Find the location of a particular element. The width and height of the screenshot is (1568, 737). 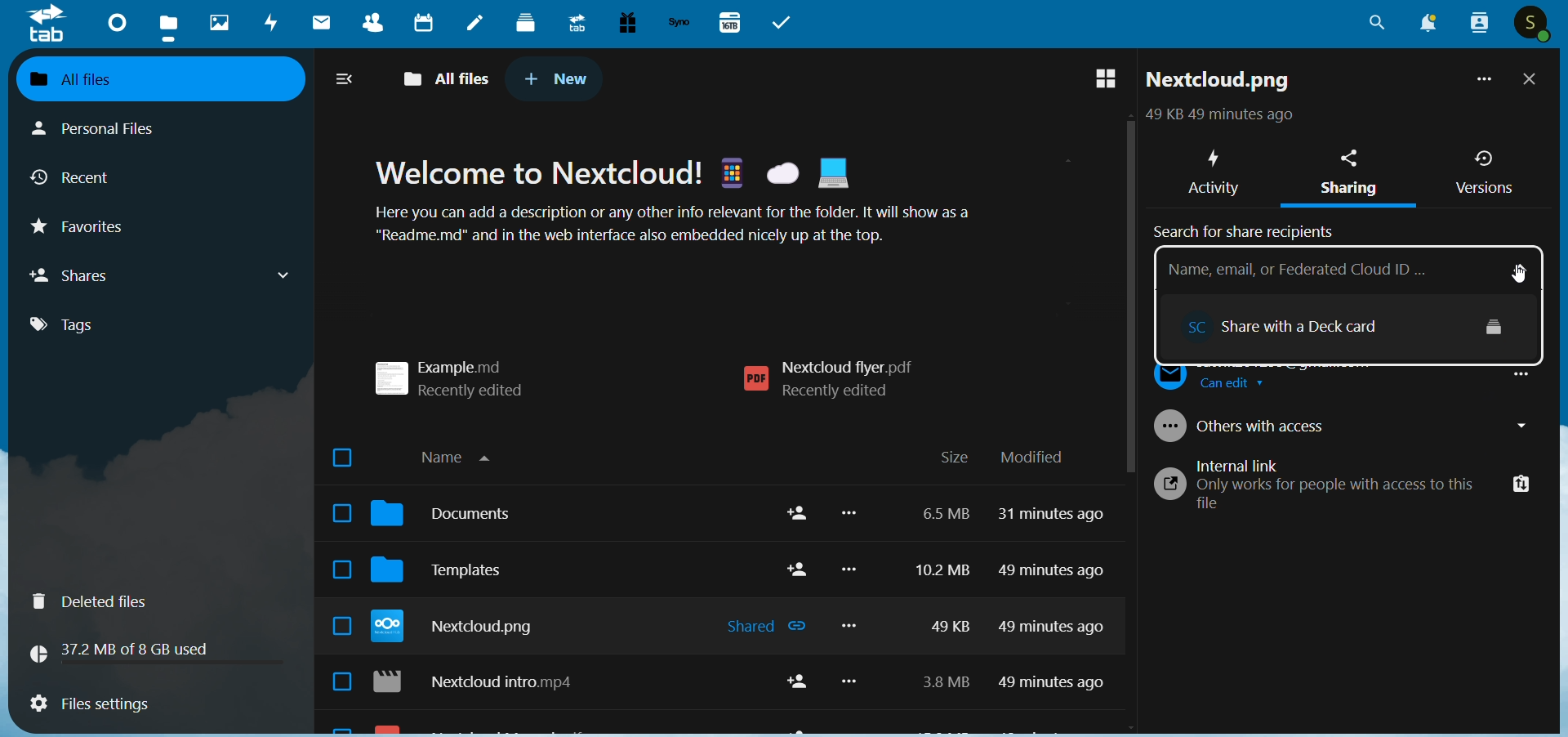

templates is located at coordinates (452, 575).